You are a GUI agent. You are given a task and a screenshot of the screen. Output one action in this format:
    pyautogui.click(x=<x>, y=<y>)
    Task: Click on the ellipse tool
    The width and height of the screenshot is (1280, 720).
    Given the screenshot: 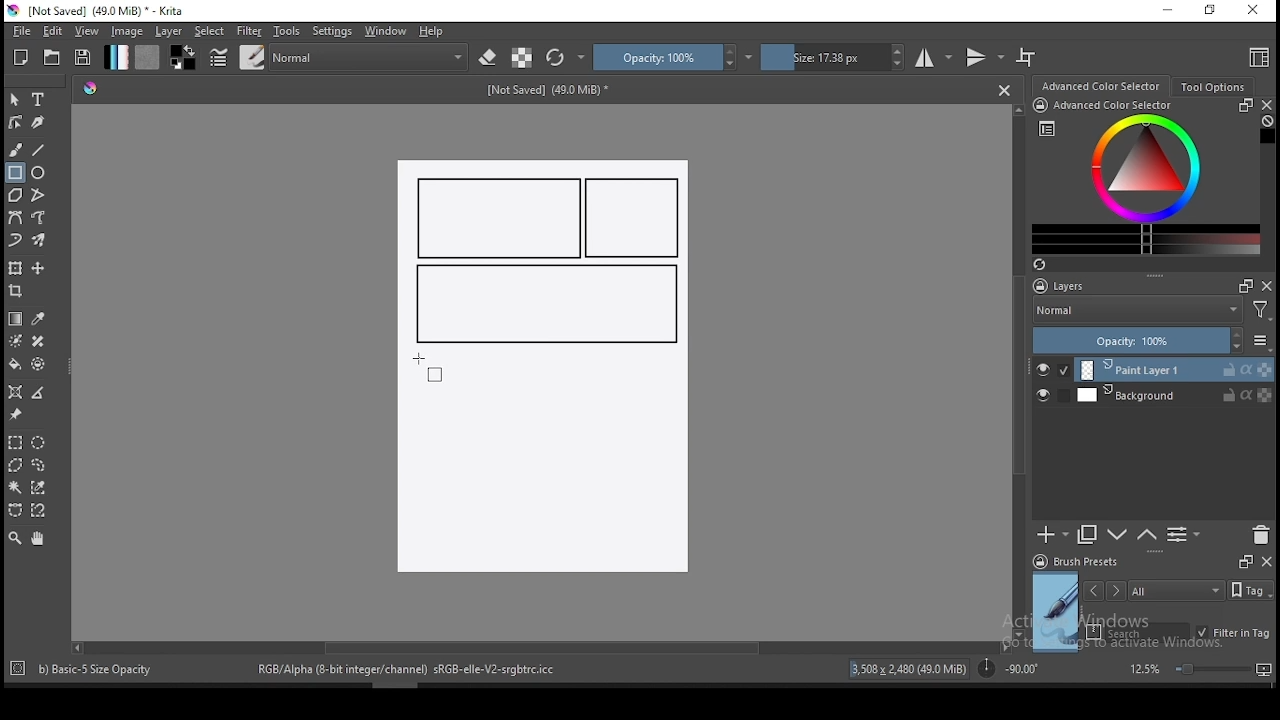 What is the action you would take?
    pyautogui.click(x=39, y=171)
    